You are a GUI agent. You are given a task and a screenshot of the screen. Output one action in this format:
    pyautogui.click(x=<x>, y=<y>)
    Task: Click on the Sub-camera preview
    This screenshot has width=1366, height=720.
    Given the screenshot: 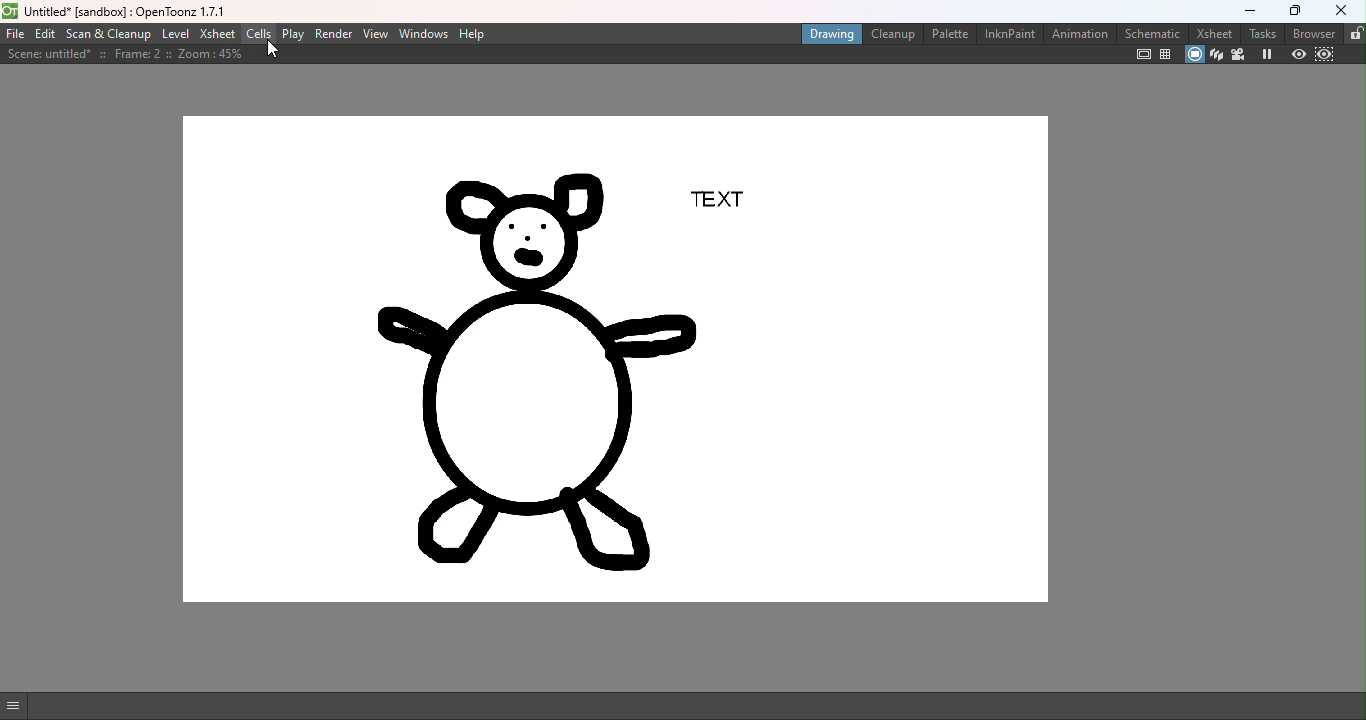 What is the action you would take?
    pyautogui.click(x=1325, y=55)
    